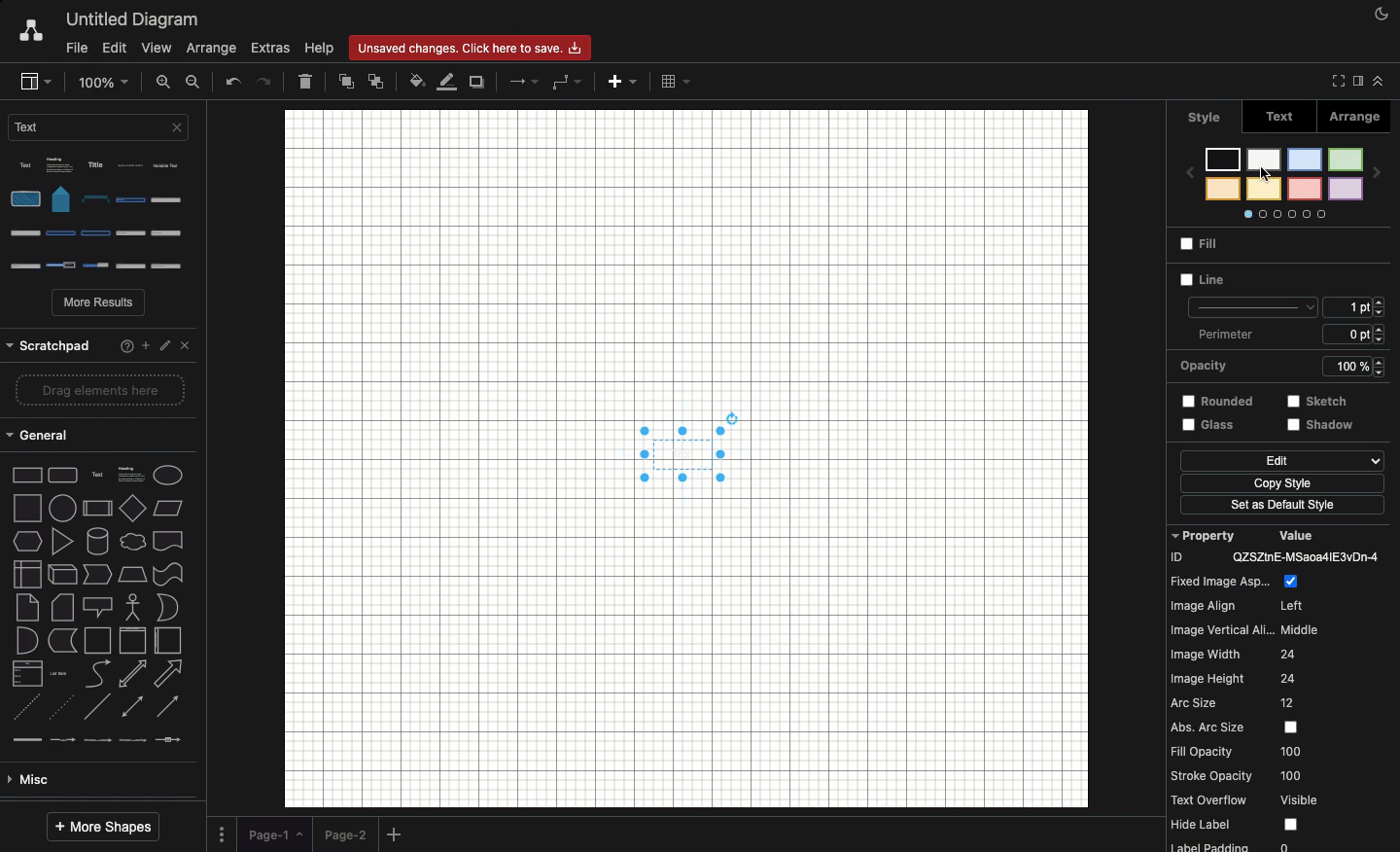 The height and width of the screenshot is (852, 1400). Describe the element at coordinates (102, 828) in the screenshot. I see `More shapes` at that location.